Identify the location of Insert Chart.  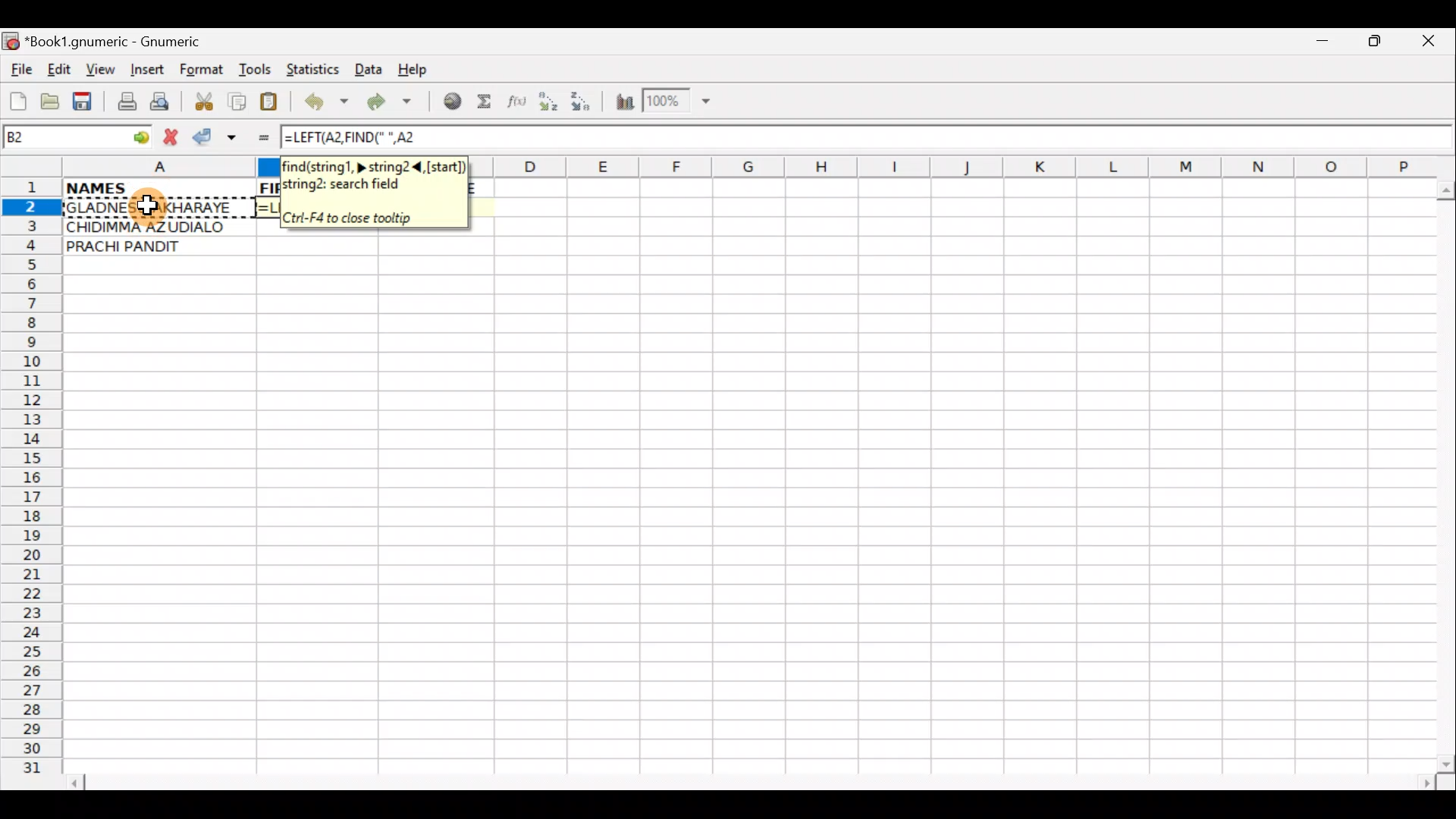
(620, 104).